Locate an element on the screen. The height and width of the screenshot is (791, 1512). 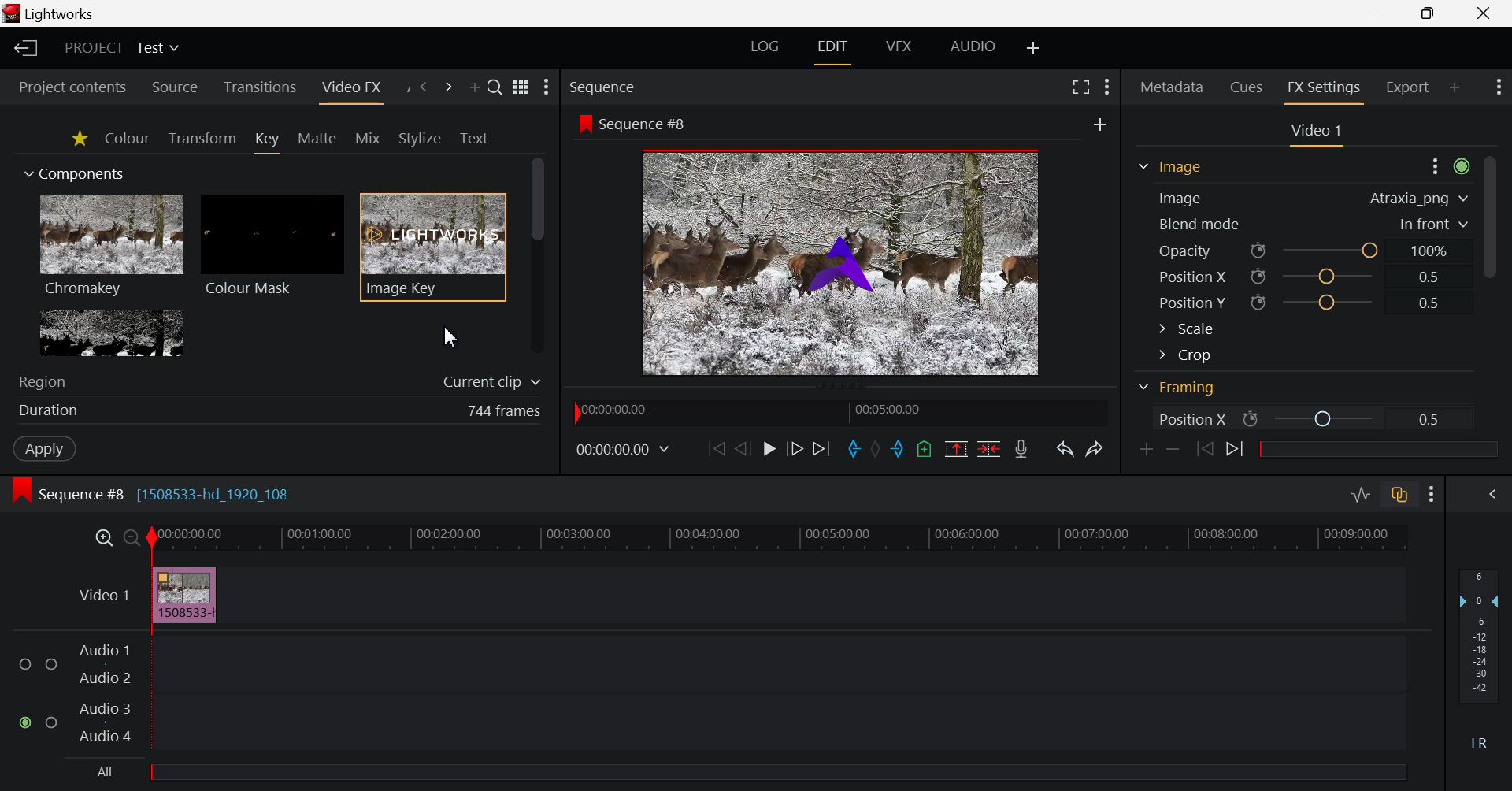
Video FX is located at coordinates (356, 91).